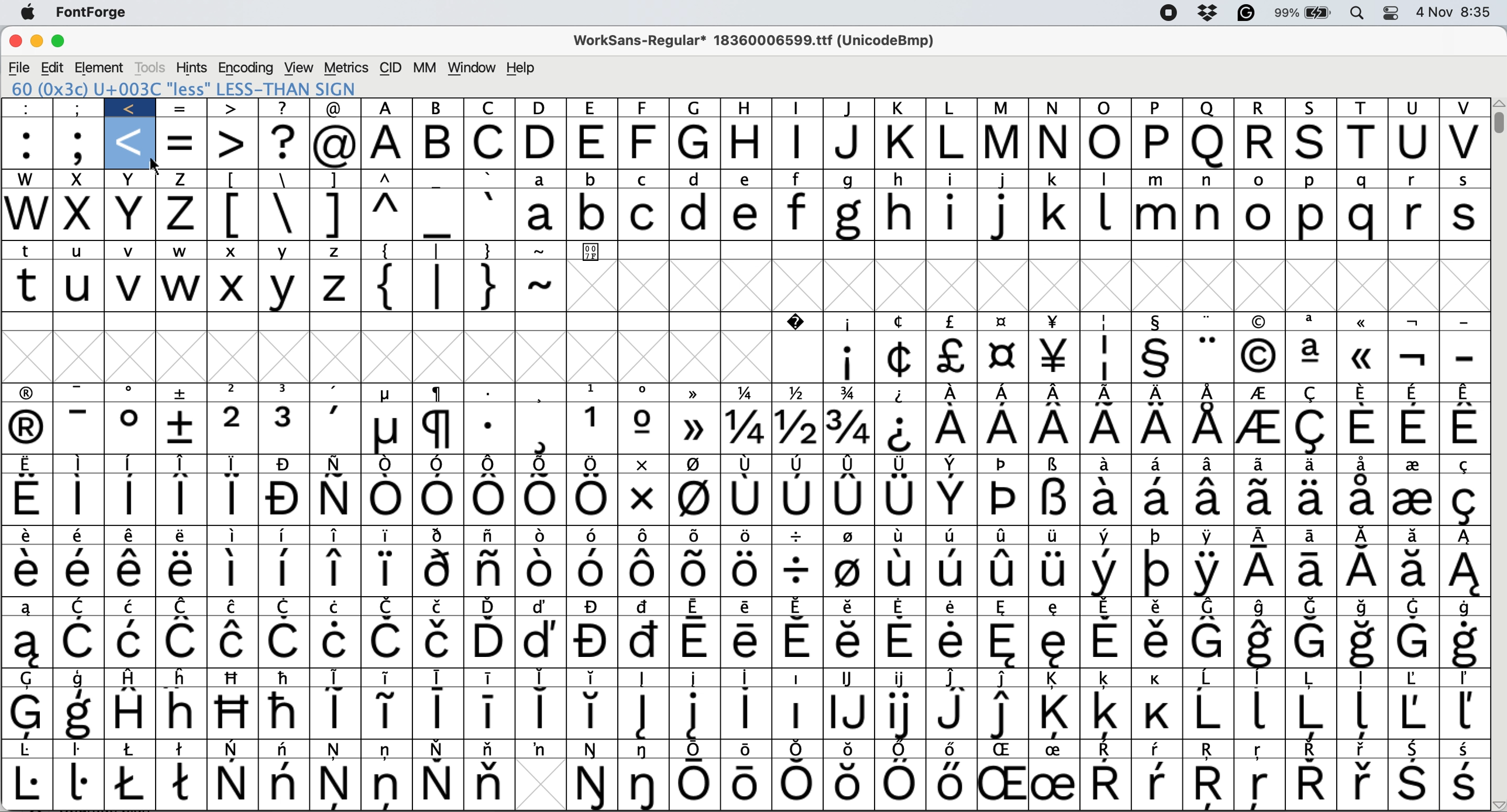 This screenshot has height=812, width=1507. What do you see at coordinates (391, 68) in the screenshot?
I see `cid` at bounding box center [391, 68].